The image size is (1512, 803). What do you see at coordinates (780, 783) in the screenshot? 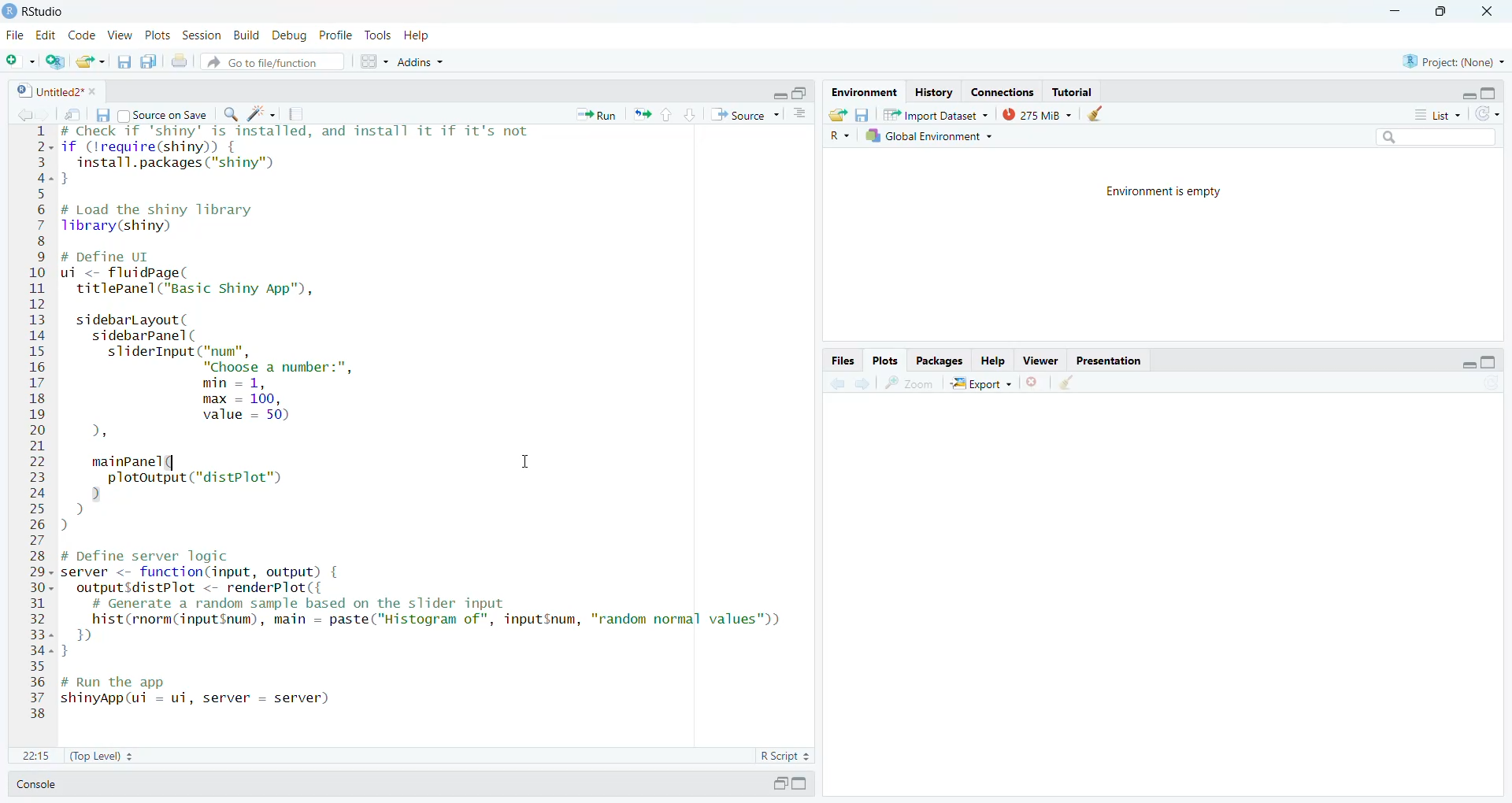
I see `resize` at bounding box center [780, 783].